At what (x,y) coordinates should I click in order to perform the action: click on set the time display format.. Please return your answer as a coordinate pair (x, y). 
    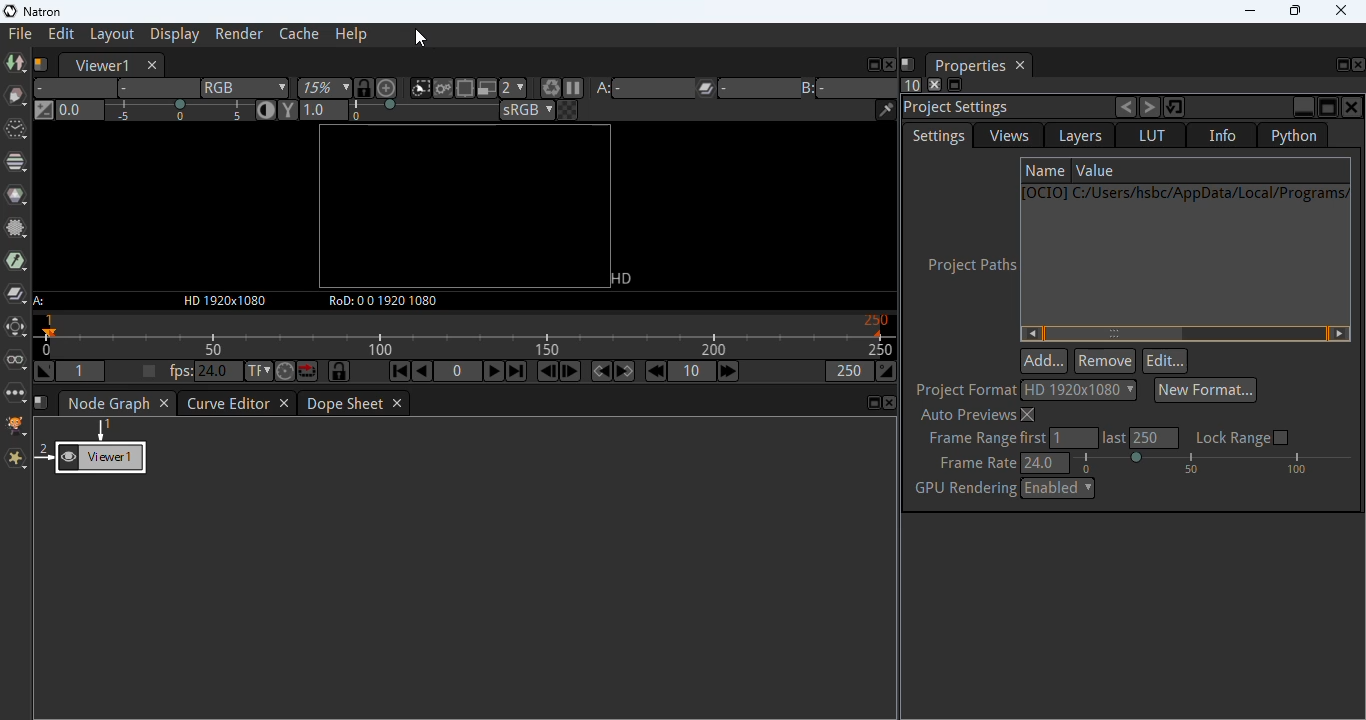
    Looking at the image, I should click on (259, 371).